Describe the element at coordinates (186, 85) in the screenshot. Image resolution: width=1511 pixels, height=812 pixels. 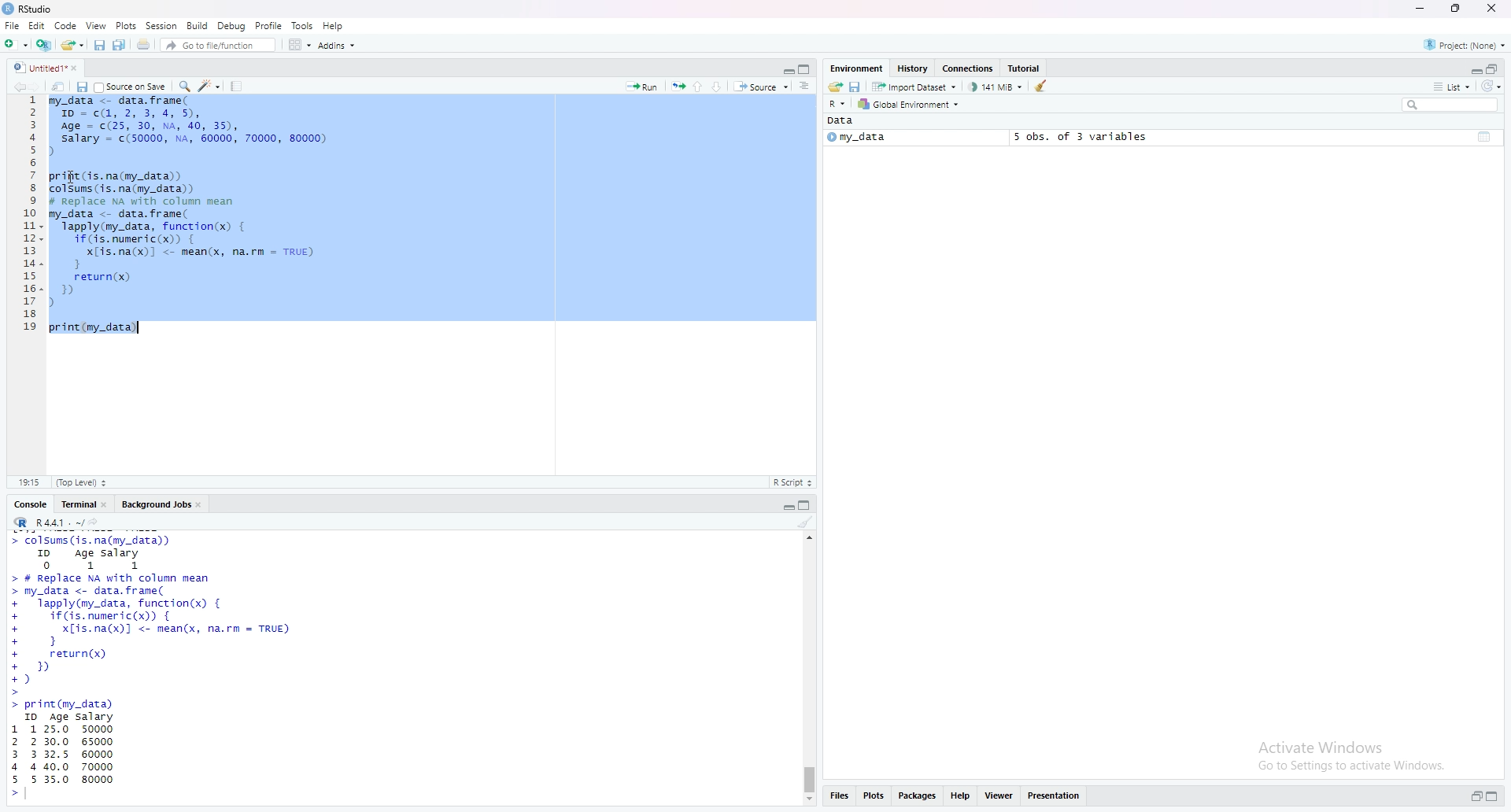
I see `Find/replace` at that location.